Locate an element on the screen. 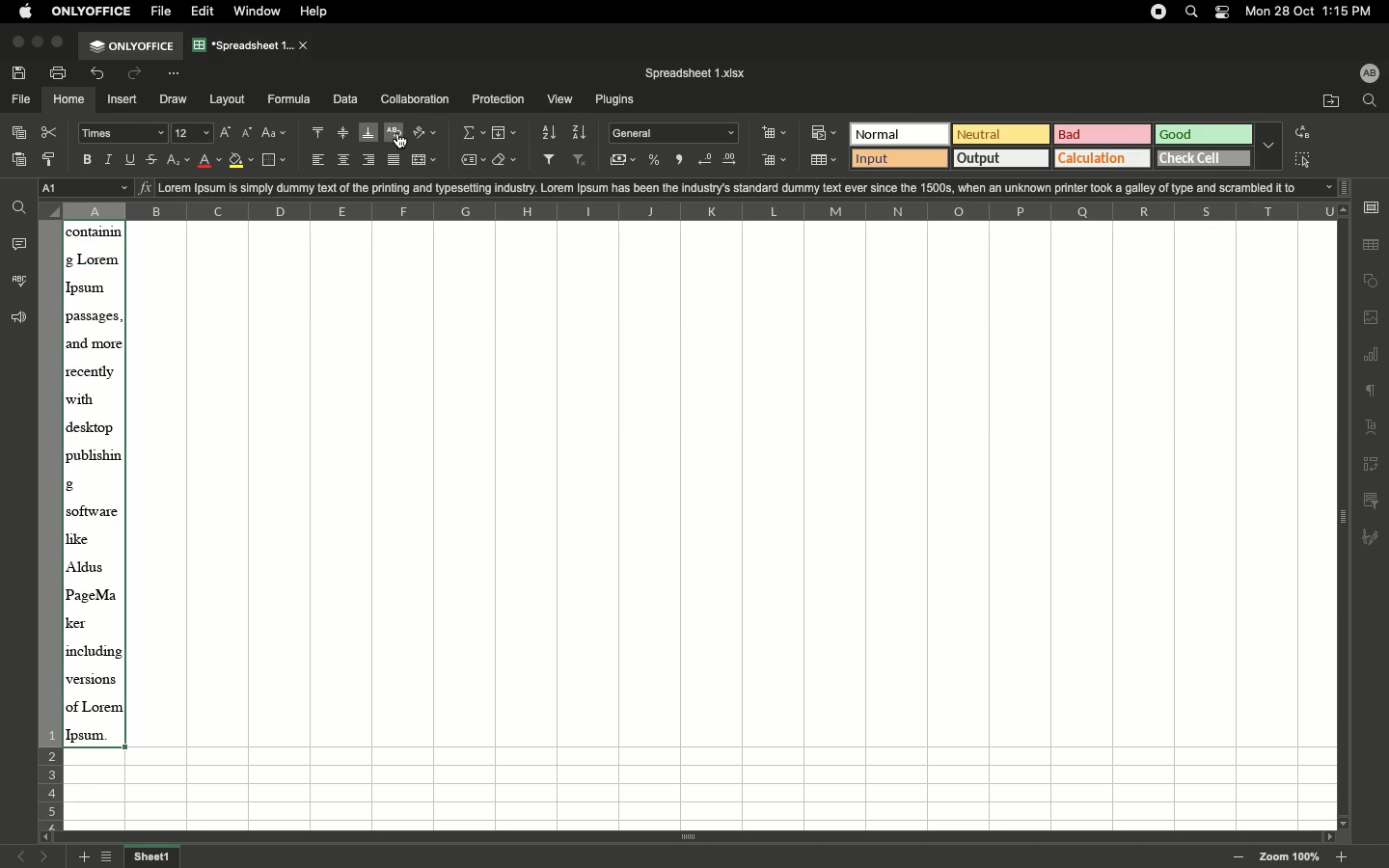  Sort descending  is located at coordinates (582, 132).